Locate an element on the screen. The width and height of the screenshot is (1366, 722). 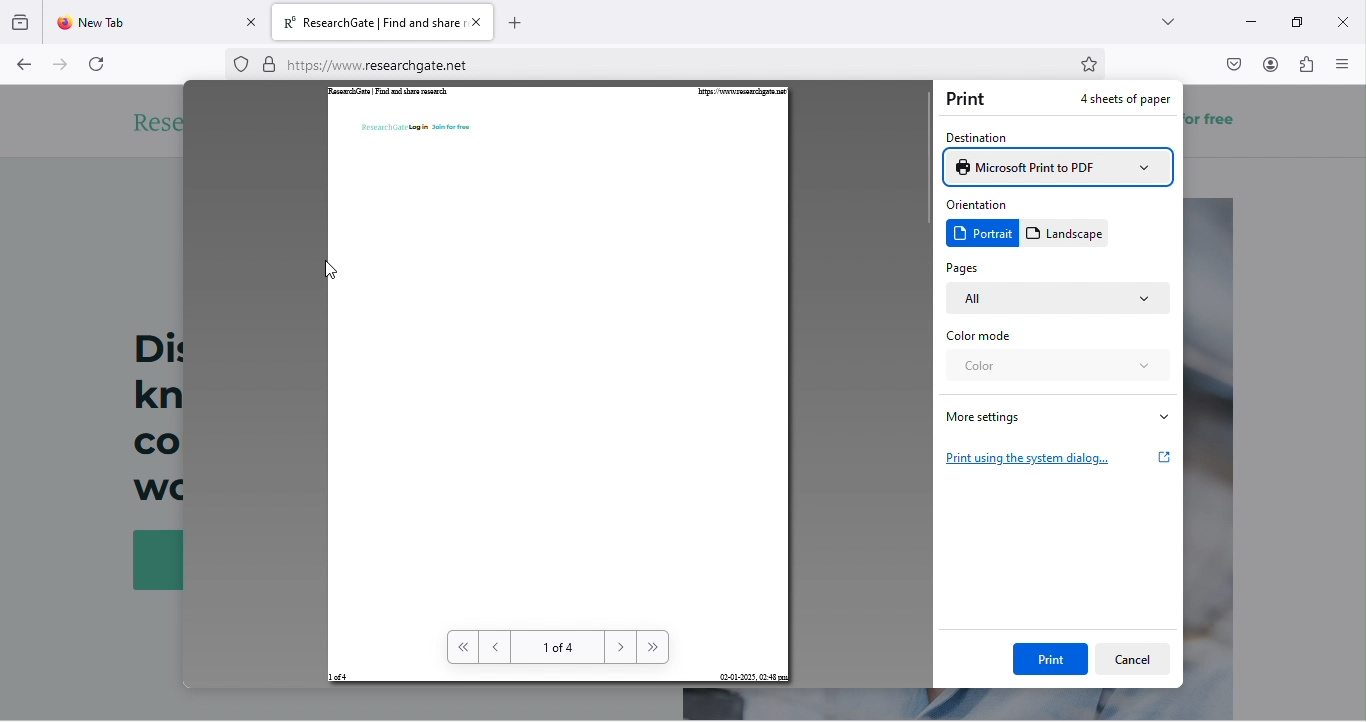
extension is located at coordinates (1308, 67).